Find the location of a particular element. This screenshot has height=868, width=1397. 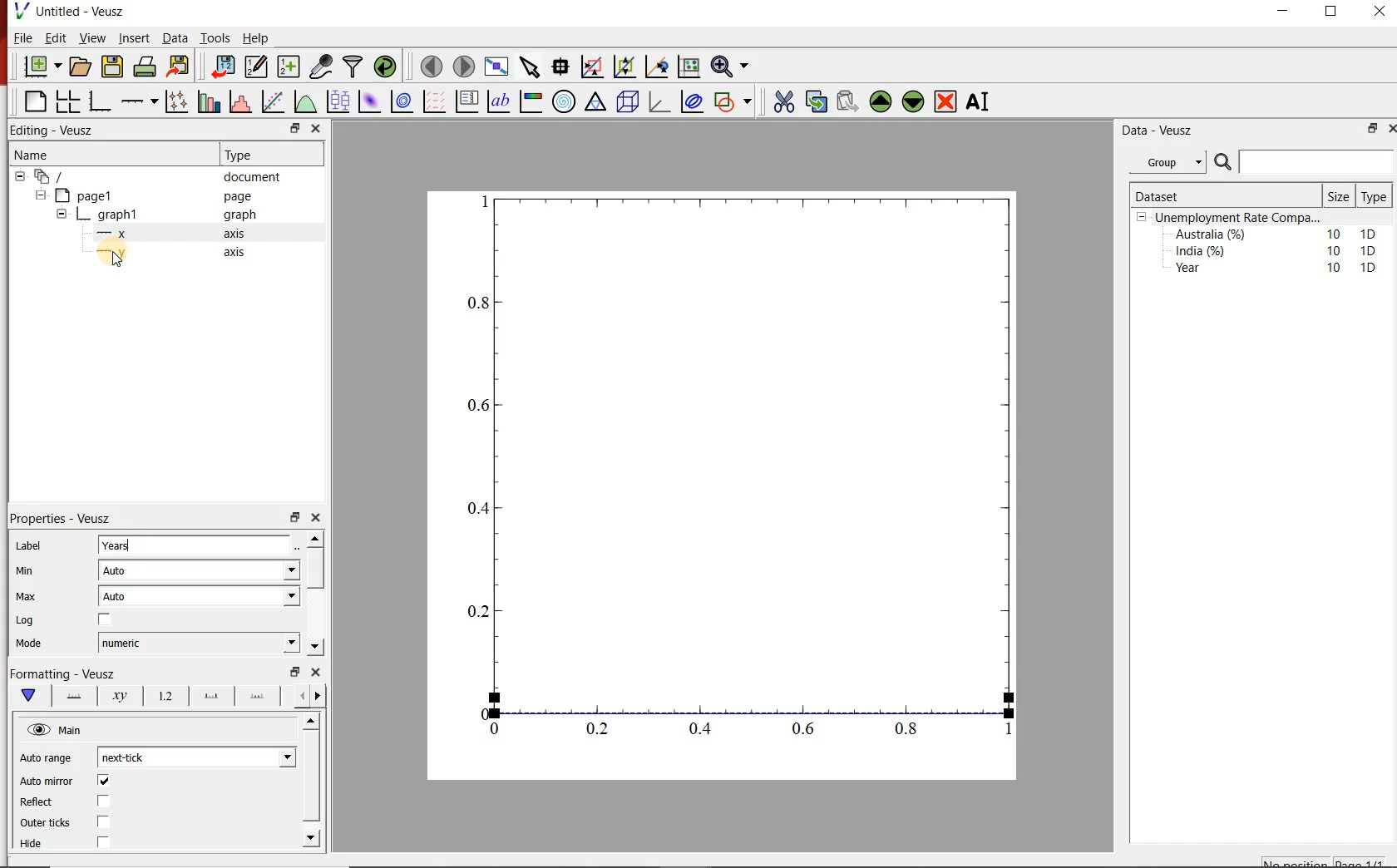

collapse is located at coordinates (61, 216).